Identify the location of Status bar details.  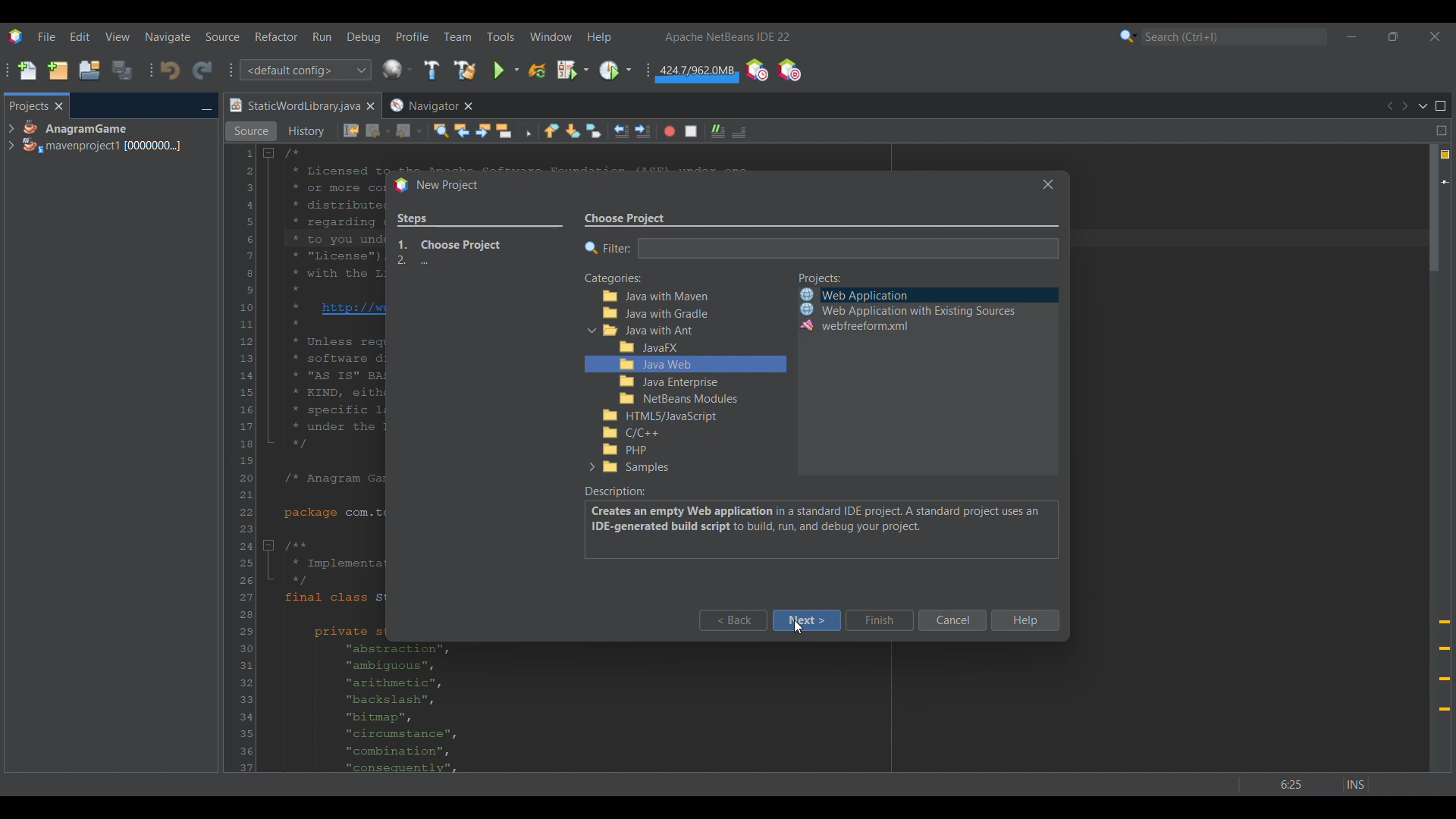
(1304, 784).